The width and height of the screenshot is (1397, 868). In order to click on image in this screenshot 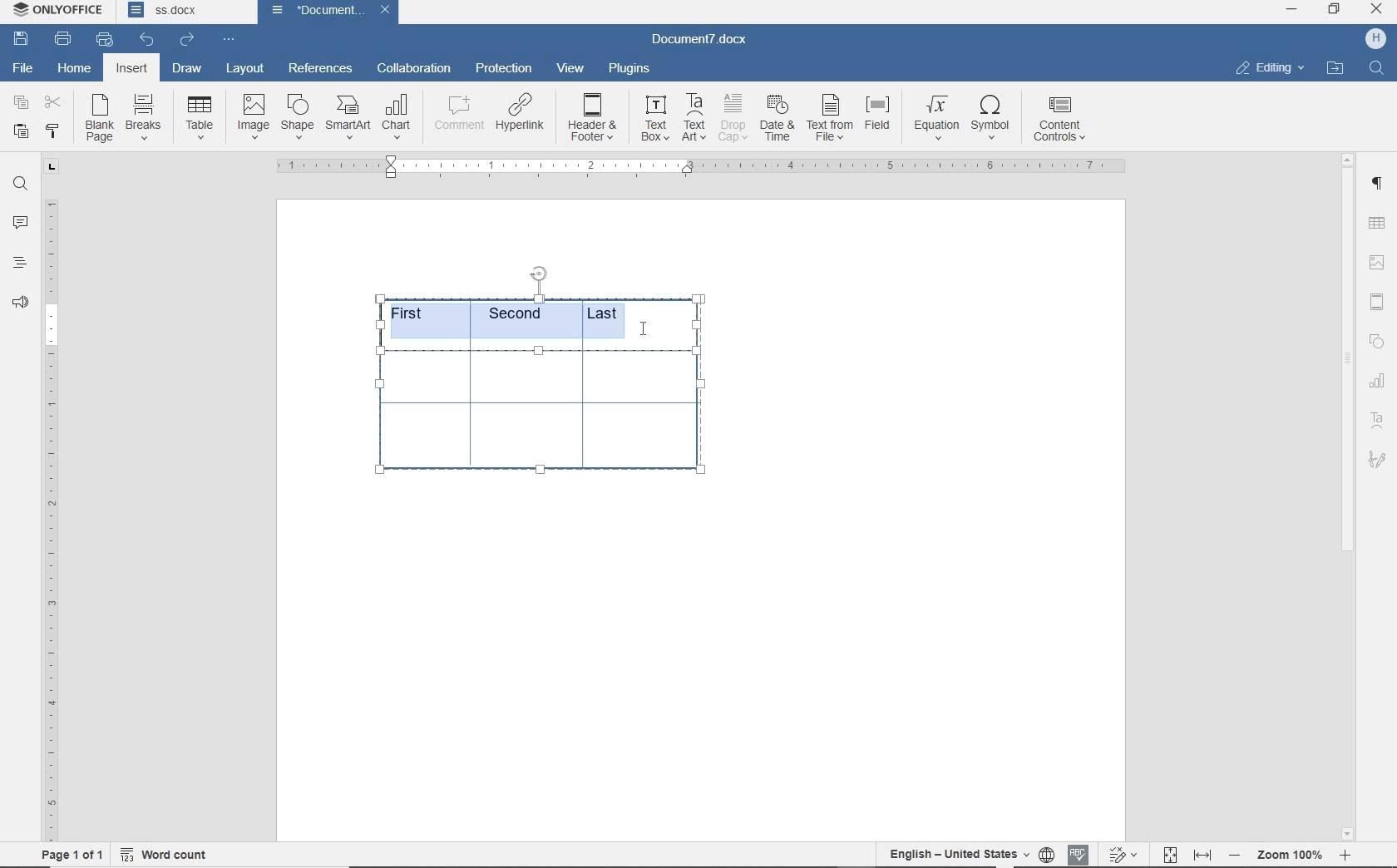, I will do `click(254, 117)`.